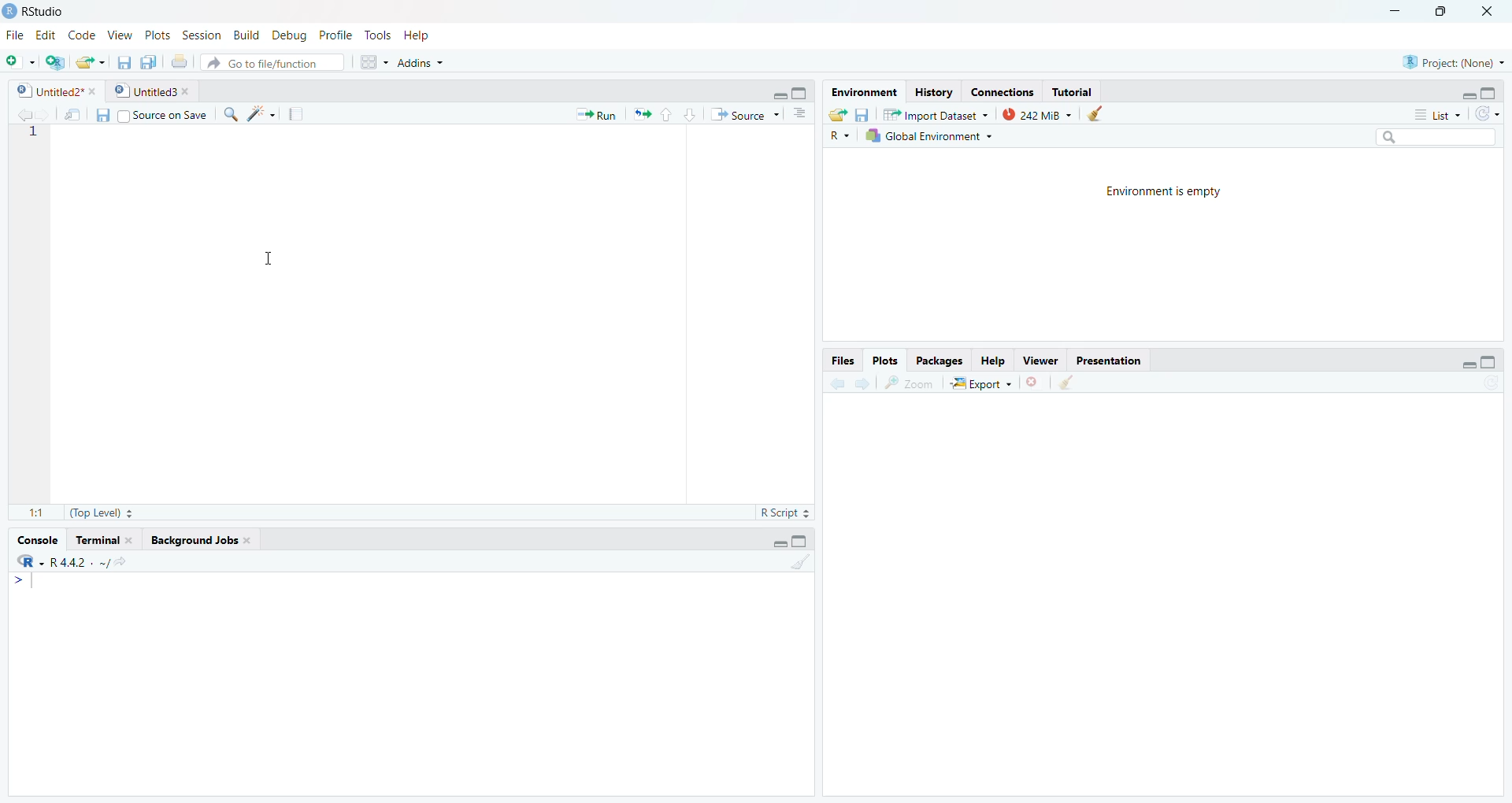 This screenshot has width=1512, height=803. What do you see at coordinates (1038, 358) in the screenshot?
I see `Viewer` at bounding box center [1038, 358].